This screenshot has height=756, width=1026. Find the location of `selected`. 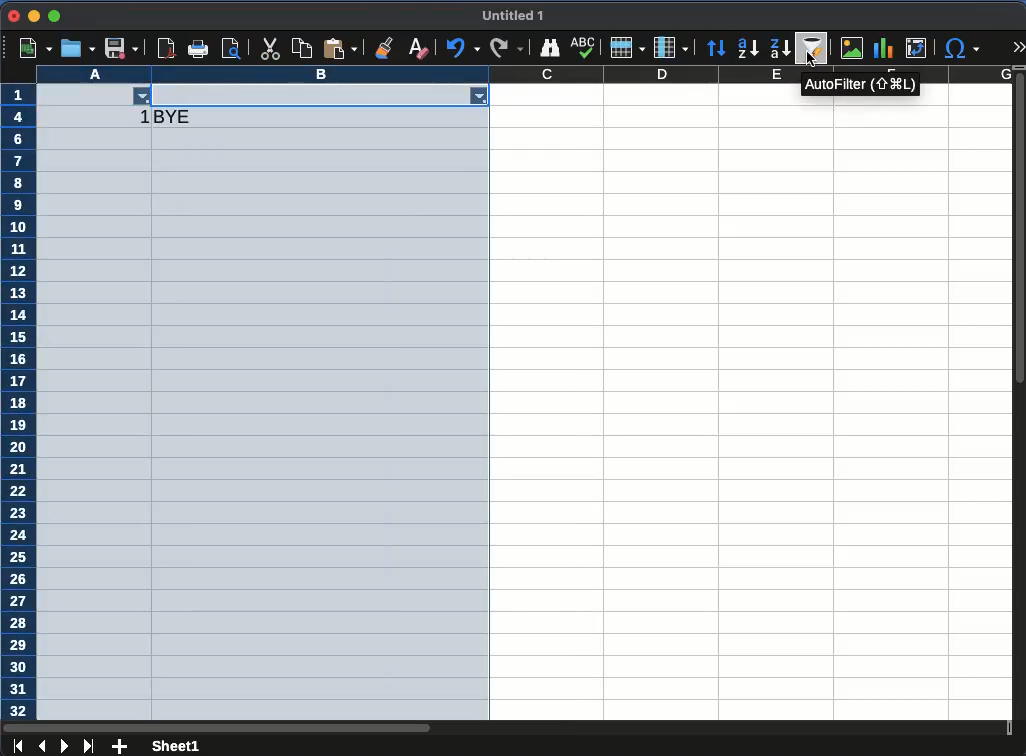

selected is located at coordinates (266, 424).